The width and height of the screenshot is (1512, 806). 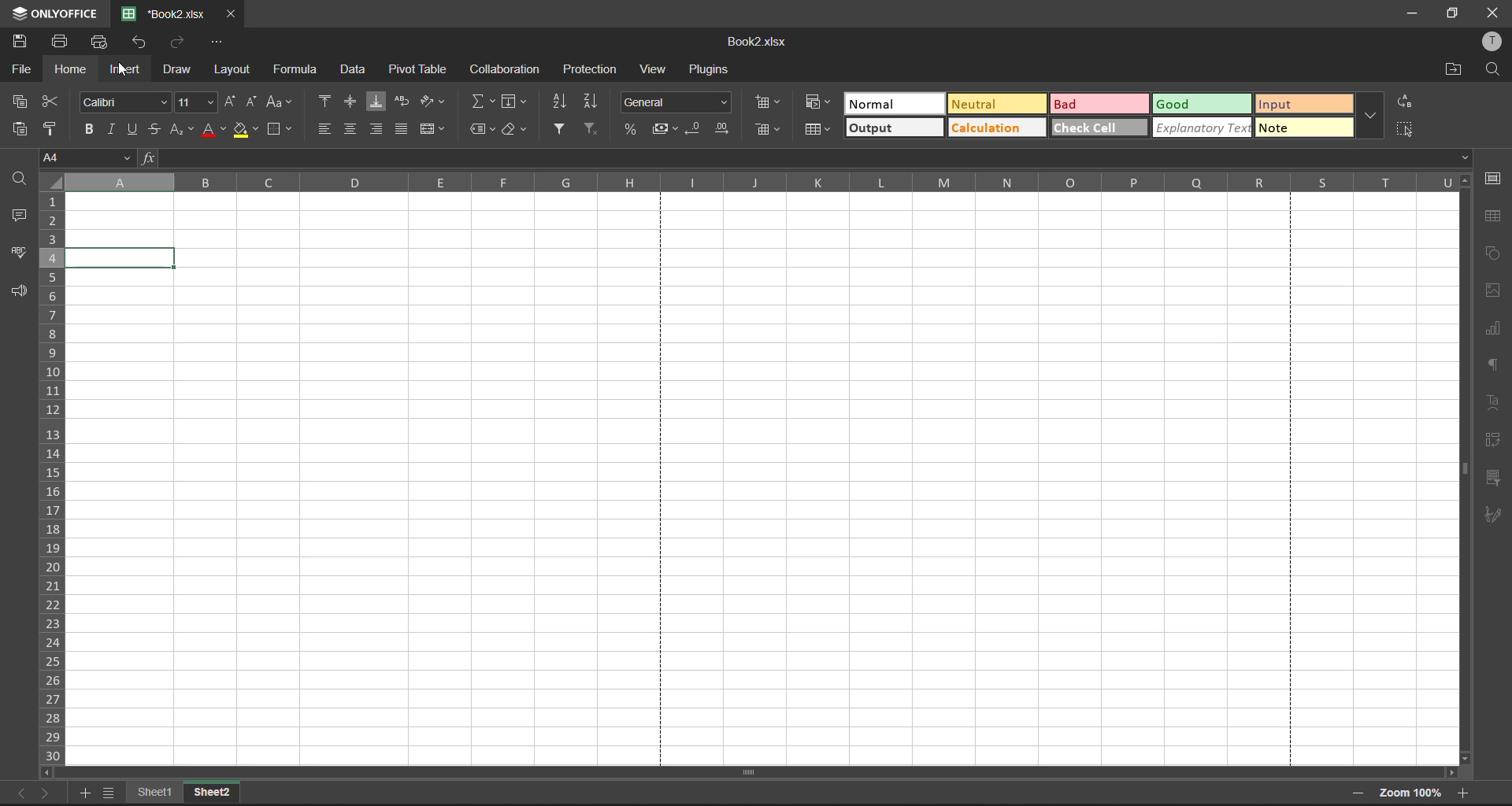 What do you see at coordinates (816, 104) in the screenshot?
I see `conditional formatting` at bounding box center [816, 104].